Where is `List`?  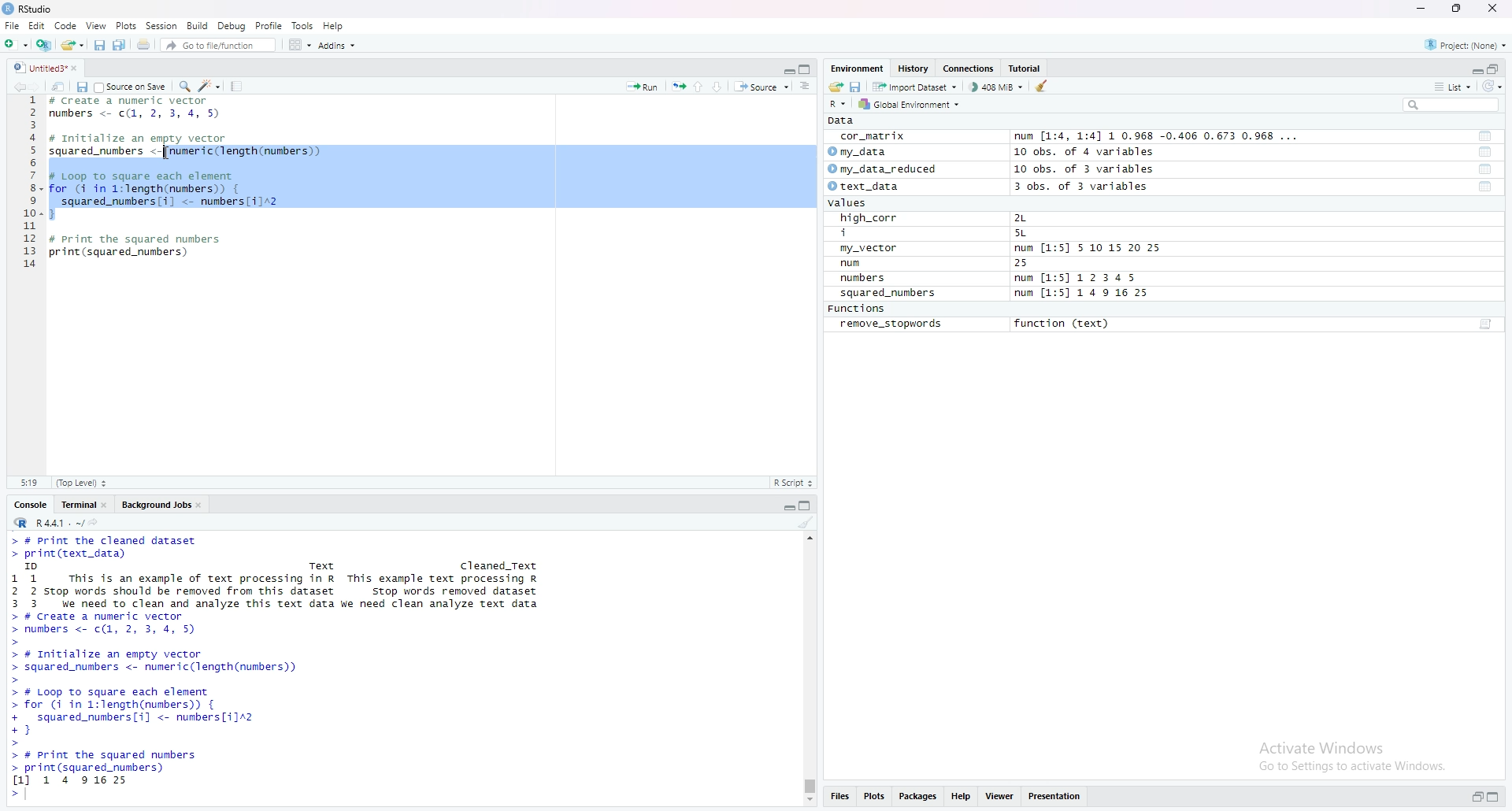
List is located at coordinates (1453, 86).